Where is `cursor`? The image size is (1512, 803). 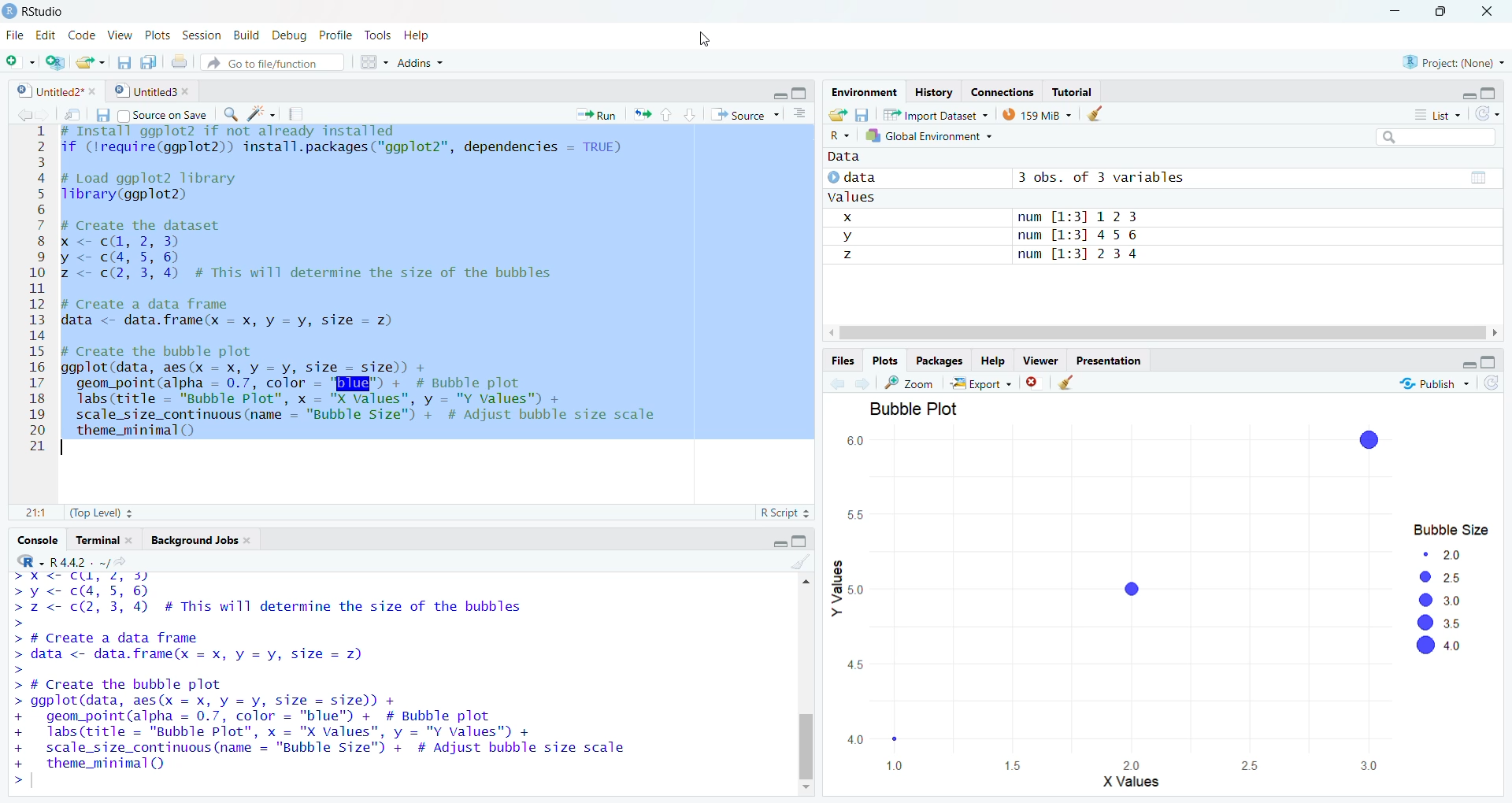 cursor is located at coordinates (702, 42).